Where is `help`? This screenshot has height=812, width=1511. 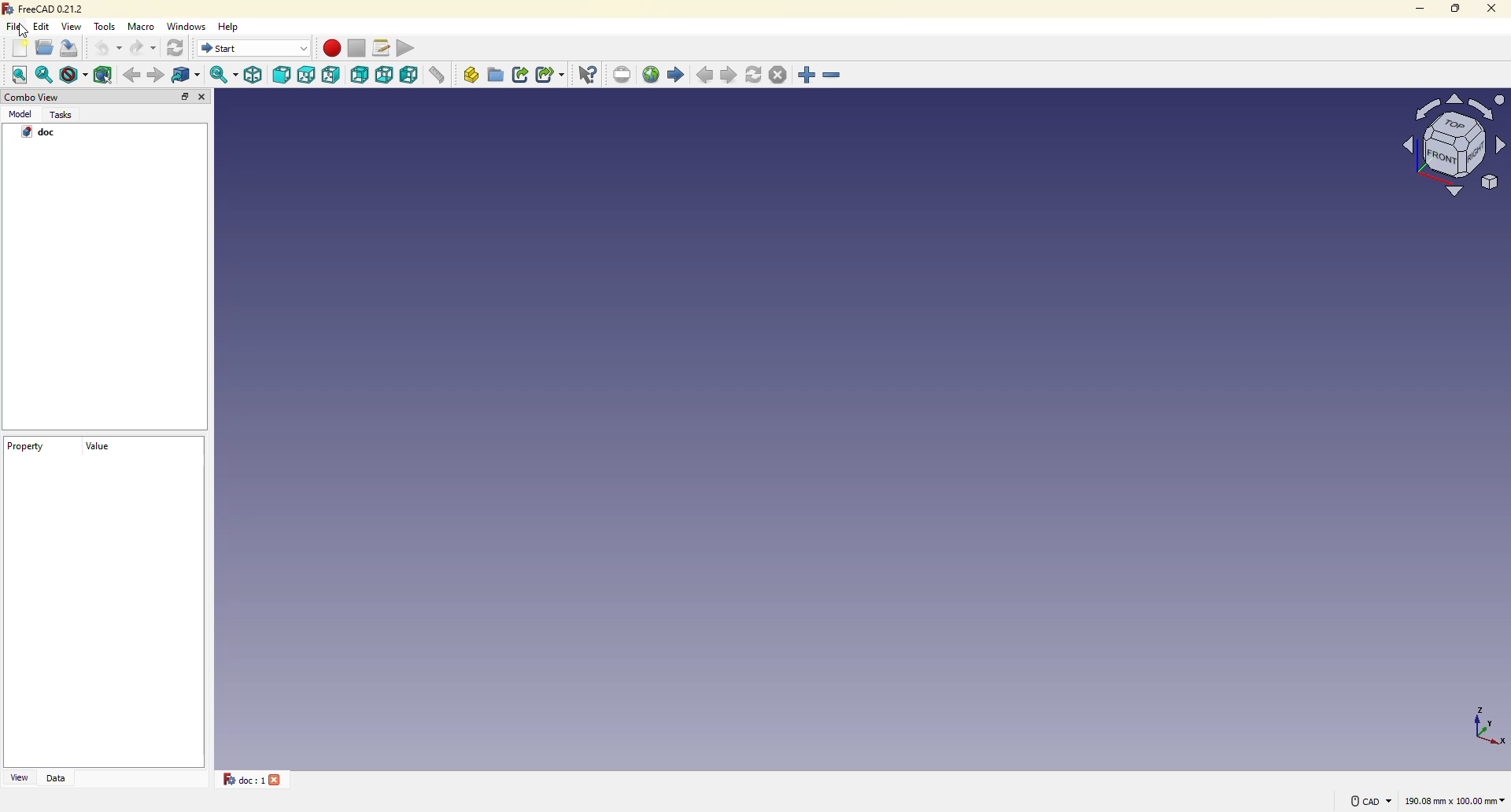 help is located at coordinates (233, 25).